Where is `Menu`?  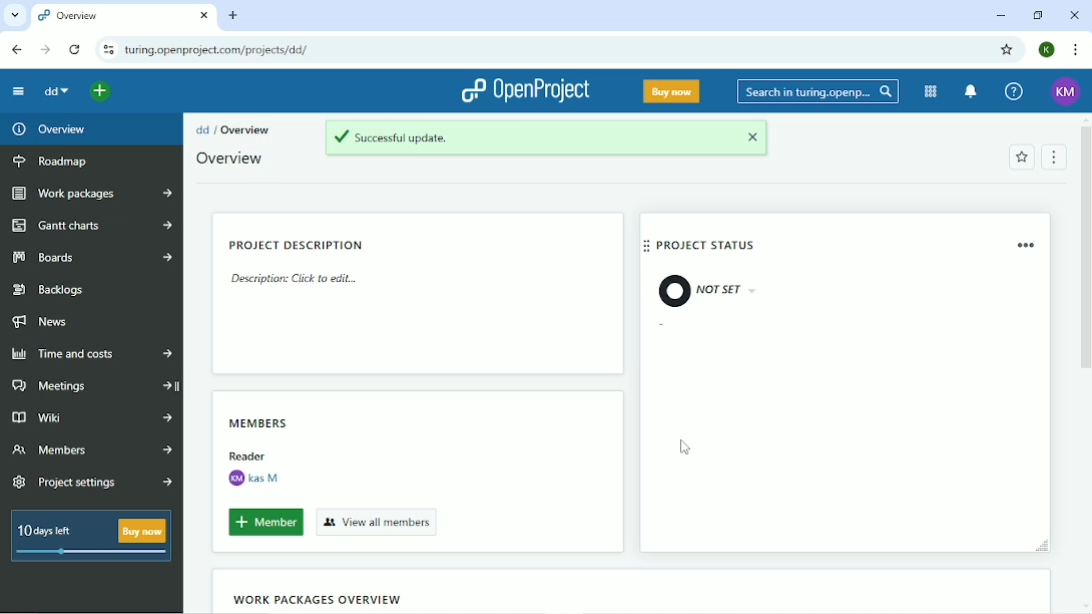
Menu is located at coordinates (1052, 158).